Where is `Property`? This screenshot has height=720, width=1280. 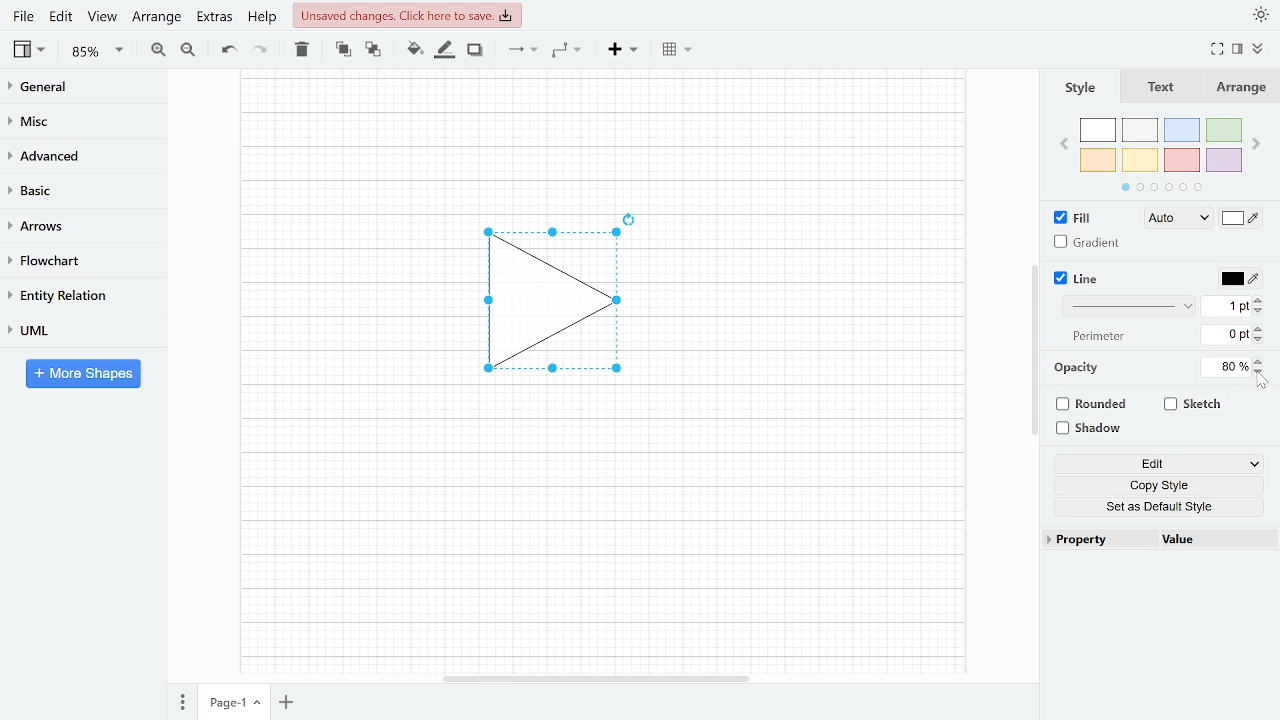
Property is located at coordinates (1098, 540).